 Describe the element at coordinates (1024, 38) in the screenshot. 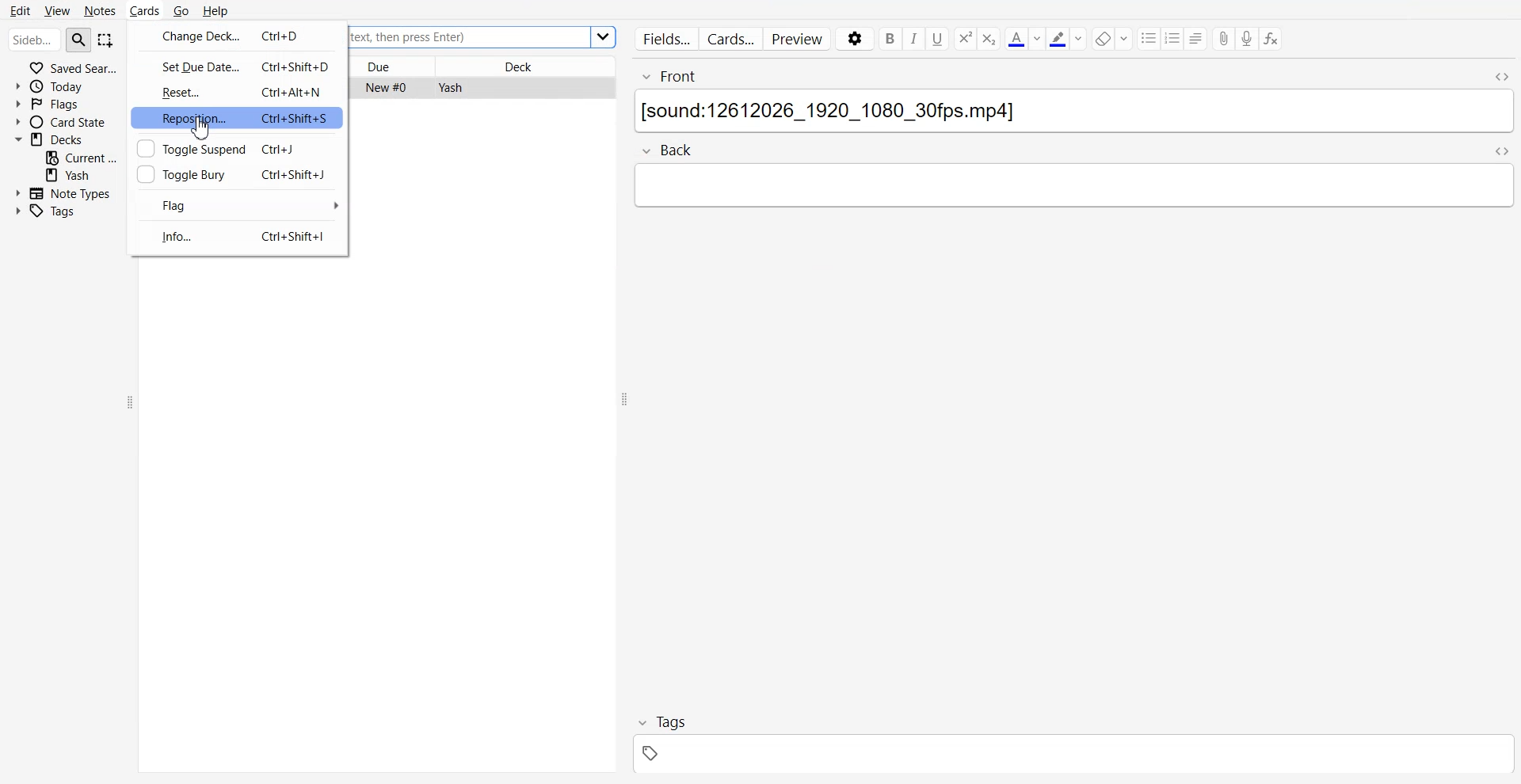

I see `Text Color` at that location.